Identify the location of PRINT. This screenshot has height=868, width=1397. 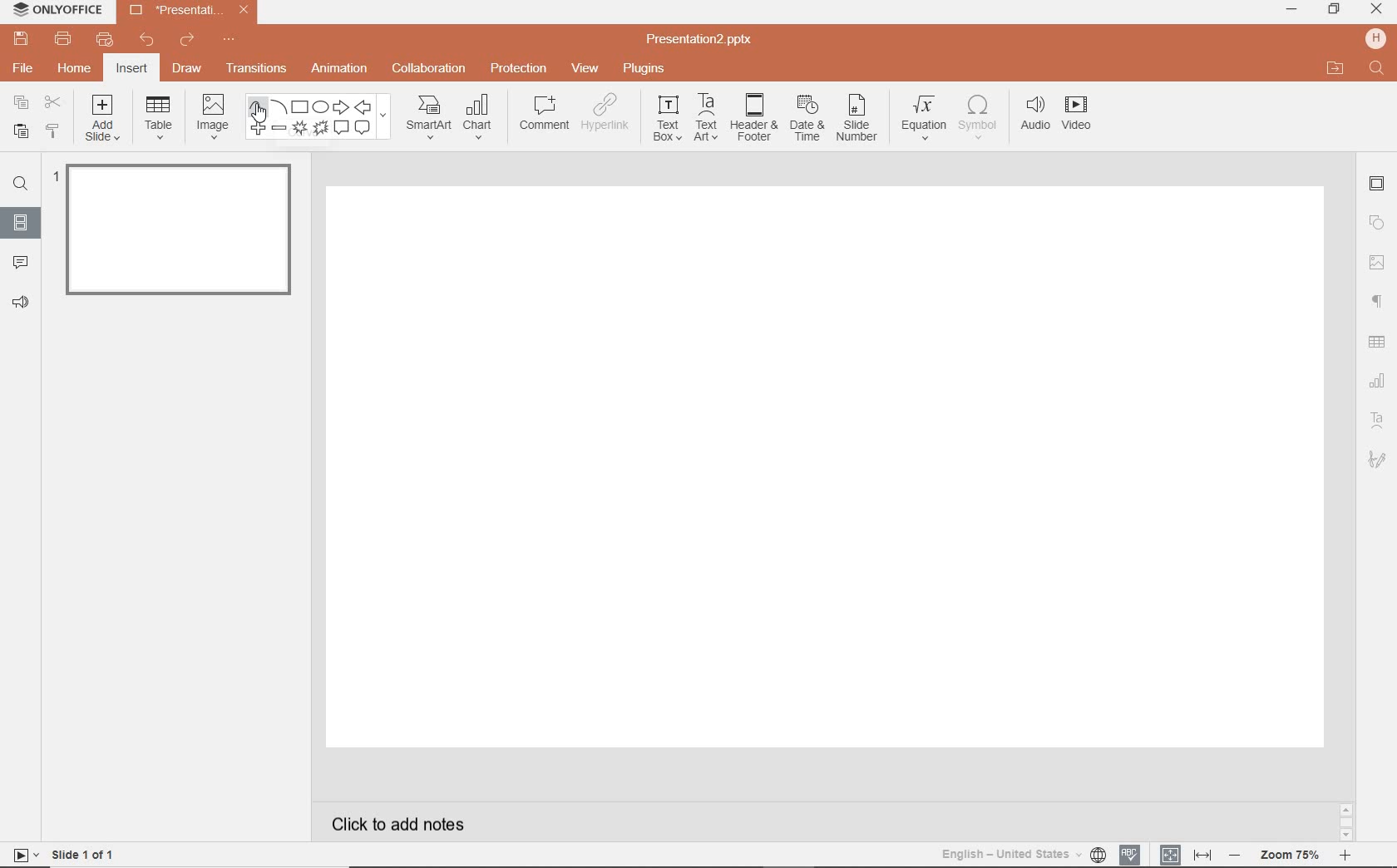
(62, 38).